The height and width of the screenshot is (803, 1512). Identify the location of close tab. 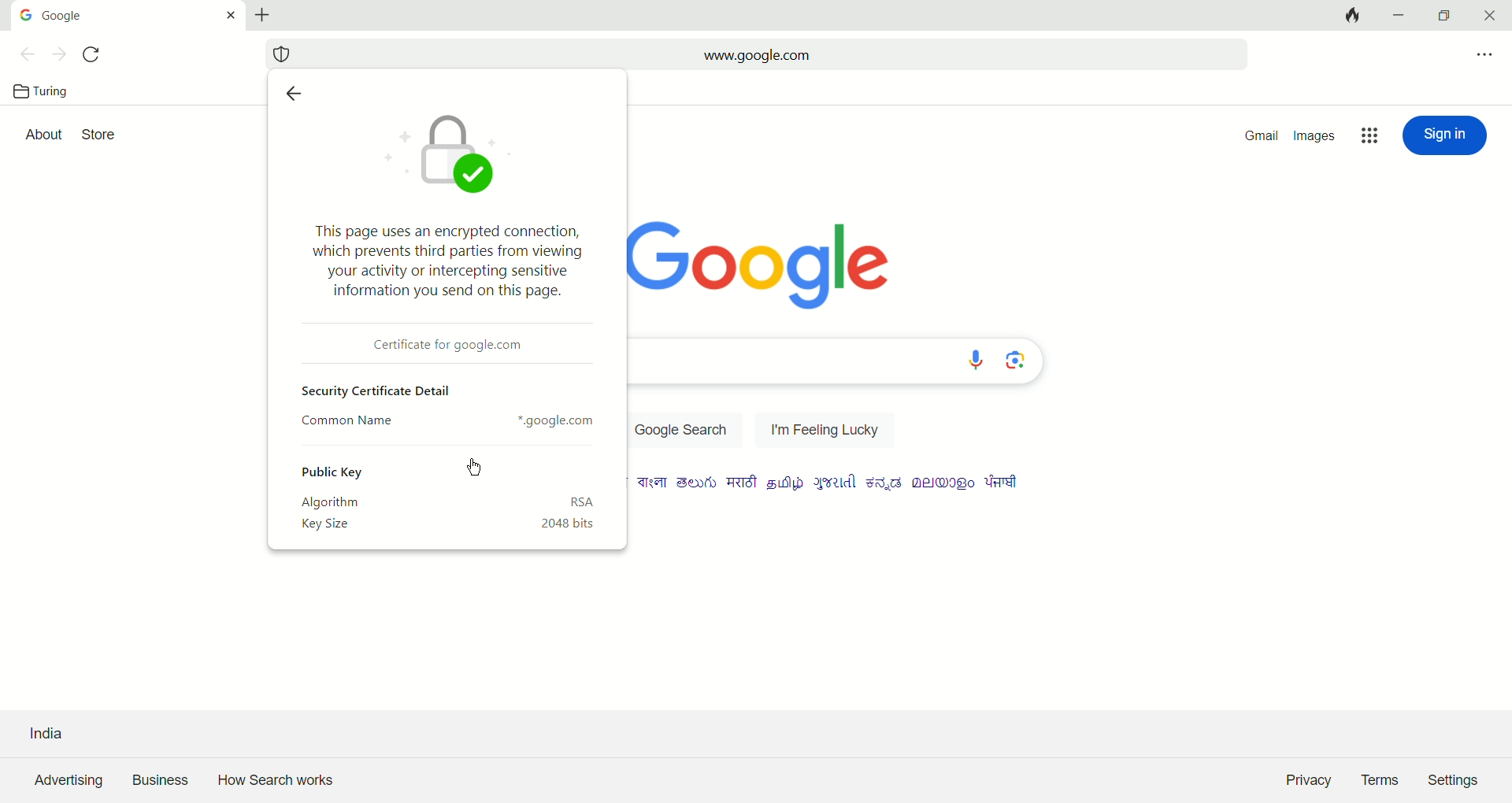
(226, 16).